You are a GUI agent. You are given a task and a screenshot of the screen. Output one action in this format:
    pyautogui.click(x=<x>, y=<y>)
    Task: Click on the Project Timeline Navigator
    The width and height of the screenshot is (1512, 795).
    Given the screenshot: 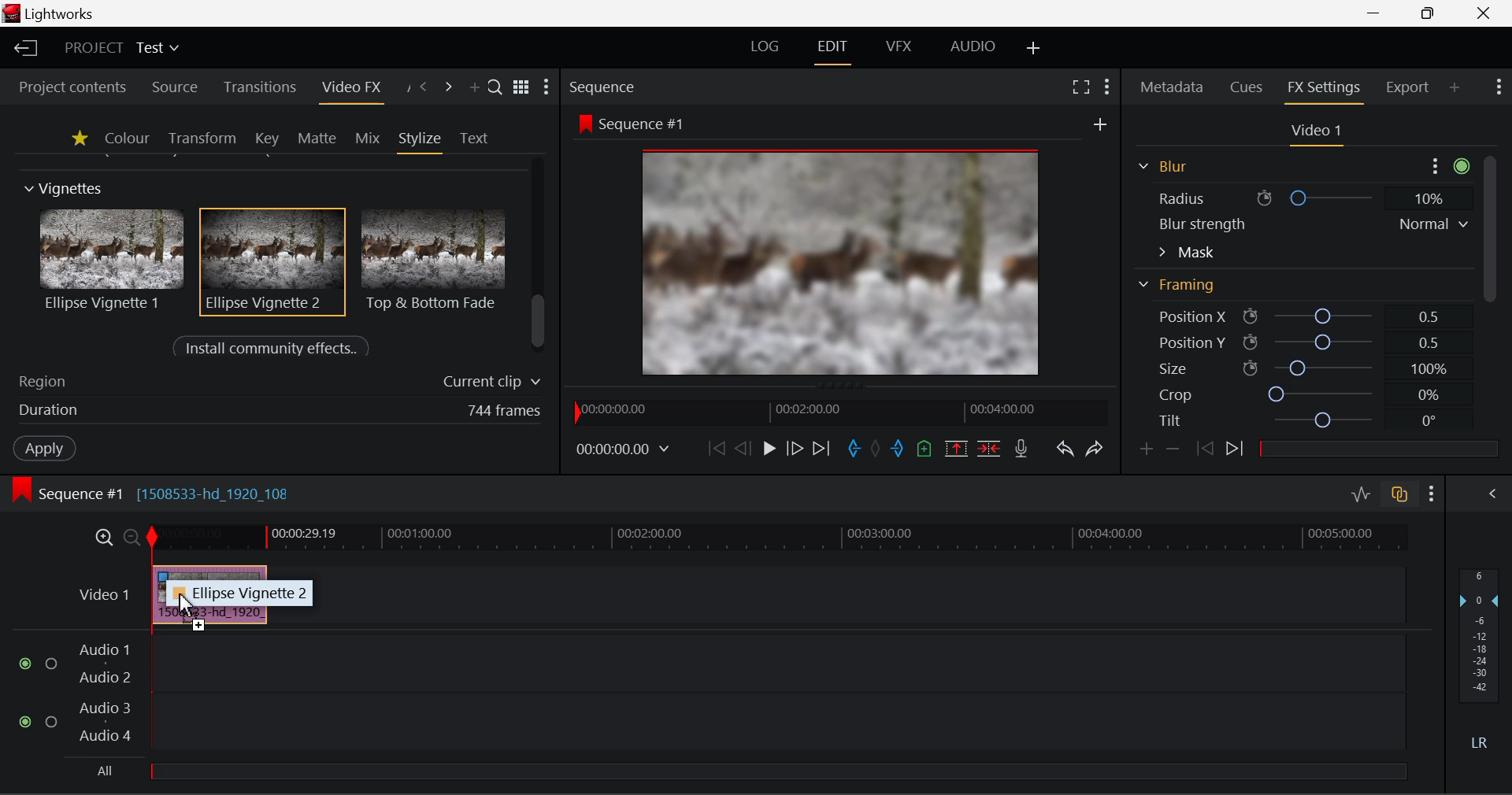 What is the action you would take?
    pyautogui.click(x=836, y=412)
    